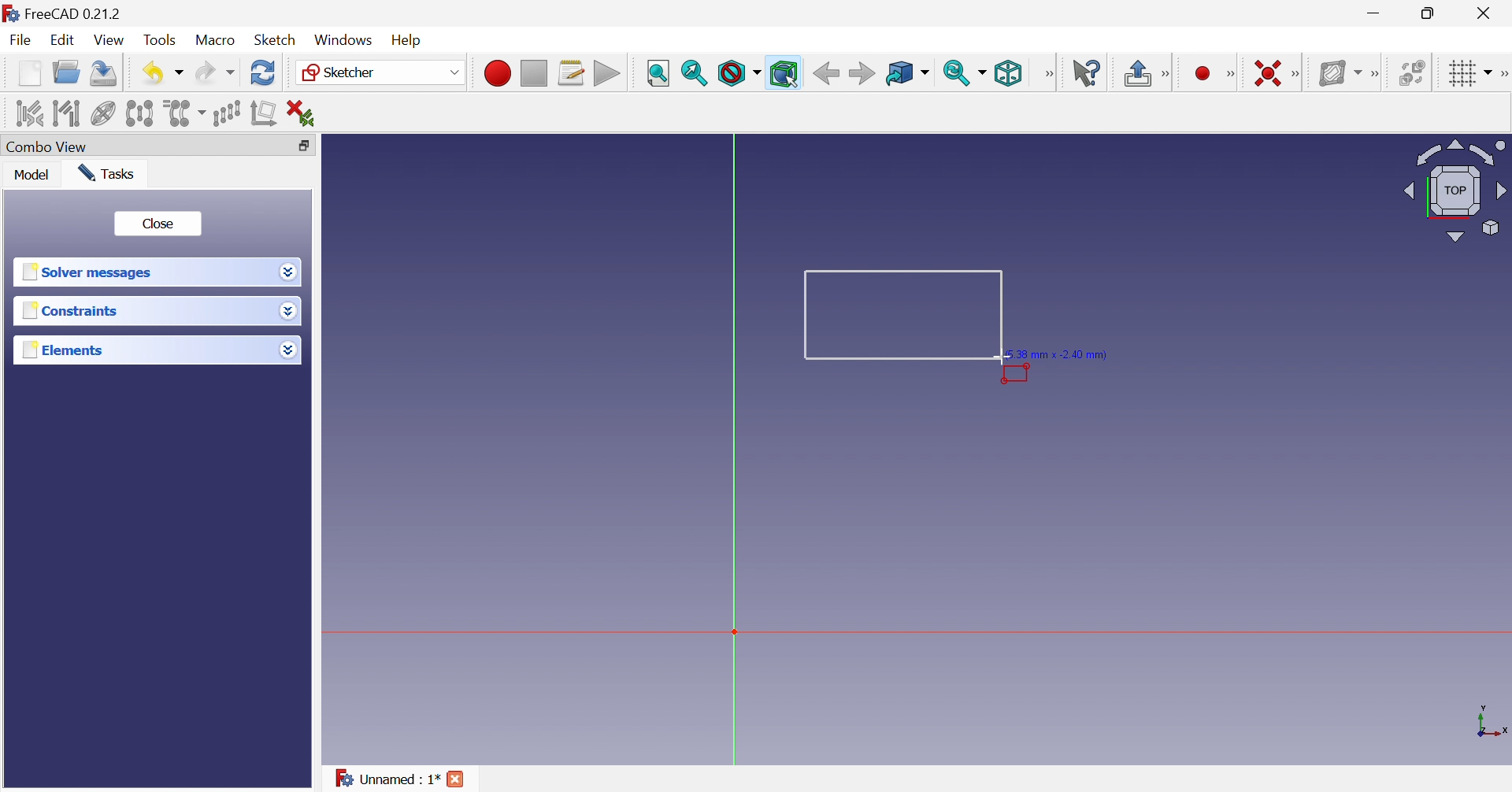 The image size is (1512, 792). Describe the element at coordinates (1003, 357) in the screenshot. I see `cursor` at that location.